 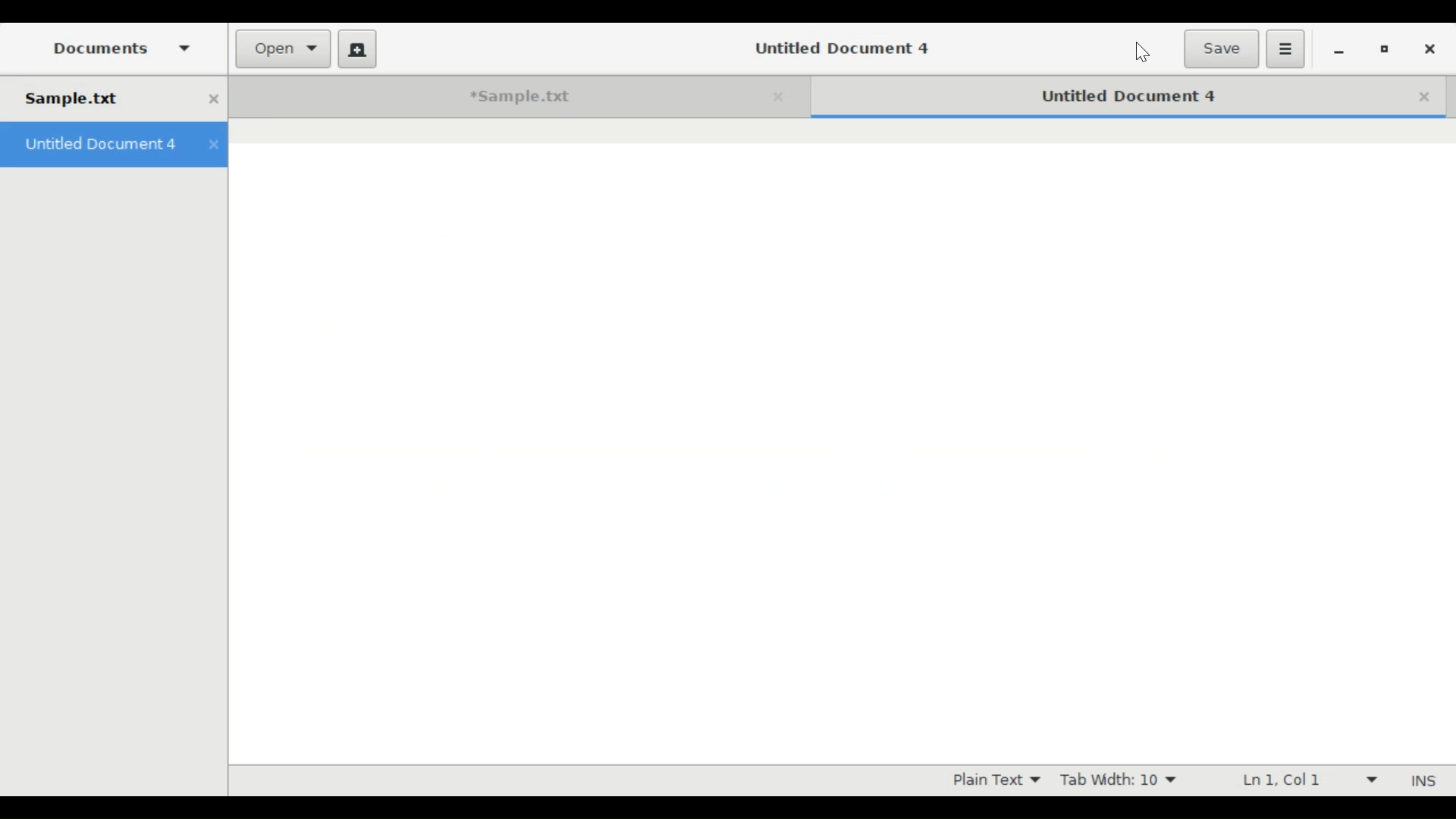 I want to click on Restore, so click(x=1389, y=51).